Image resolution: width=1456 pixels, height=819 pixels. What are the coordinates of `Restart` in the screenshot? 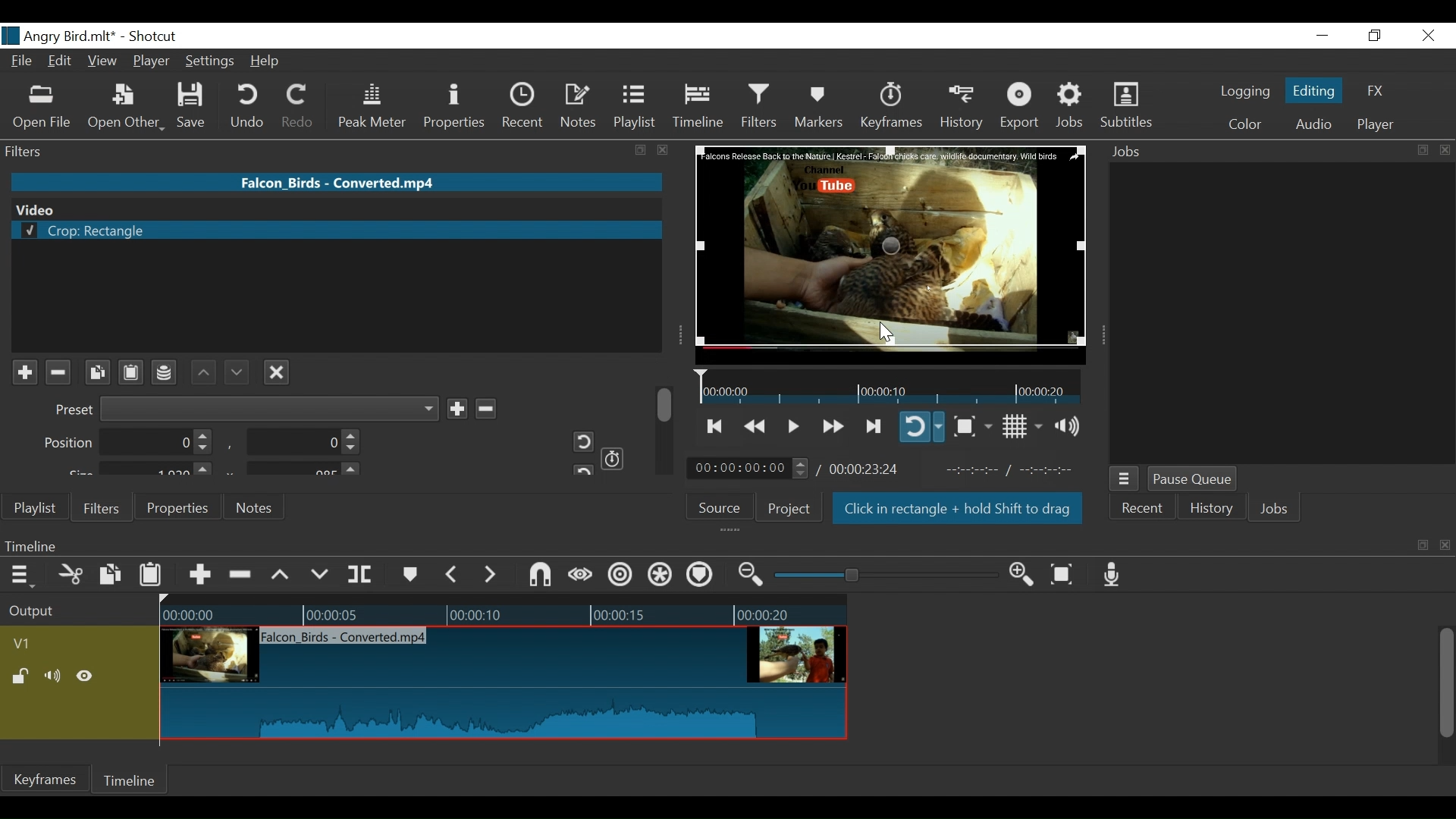 It's located at (578, 441).